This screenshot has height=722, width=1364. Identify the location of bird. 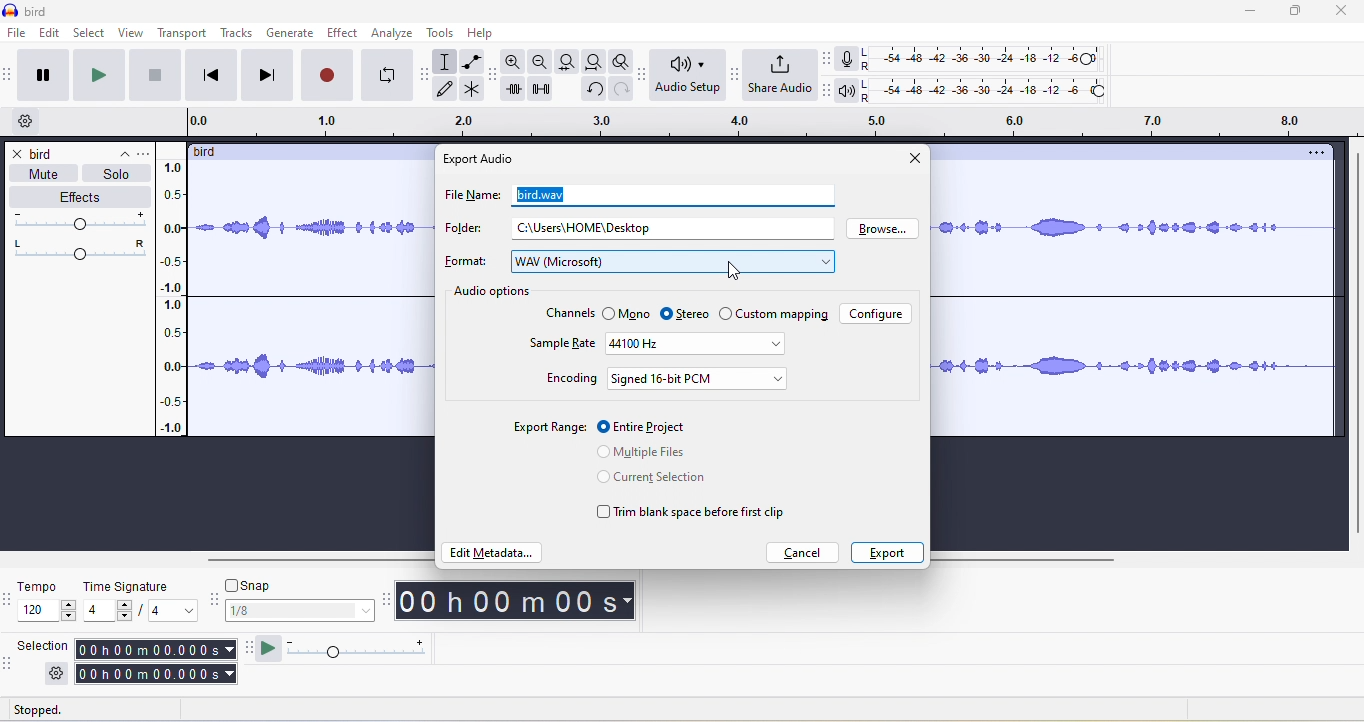
(213, 152).